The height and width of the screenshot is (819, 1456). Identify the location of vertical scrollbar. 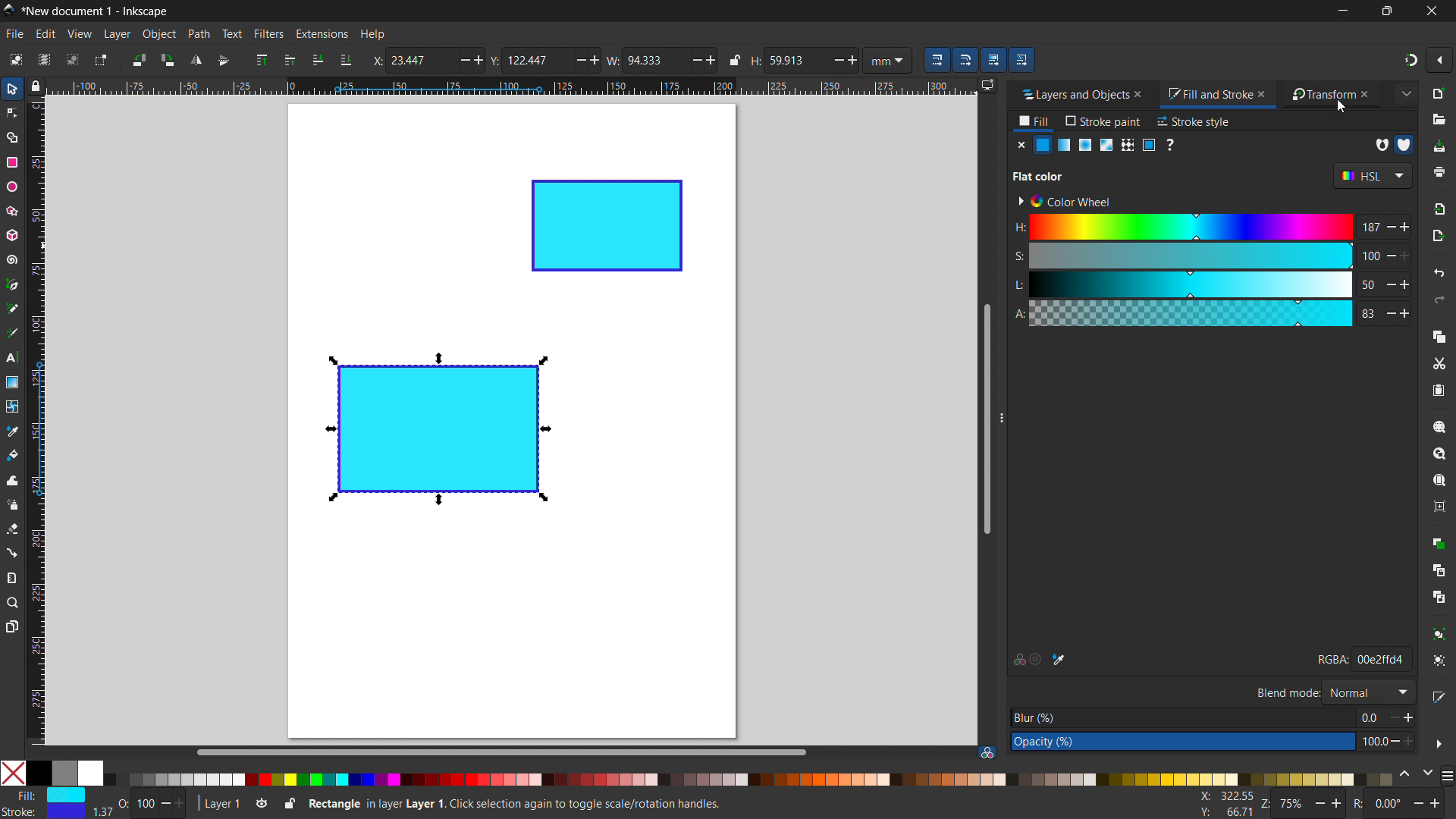
(985, 417).